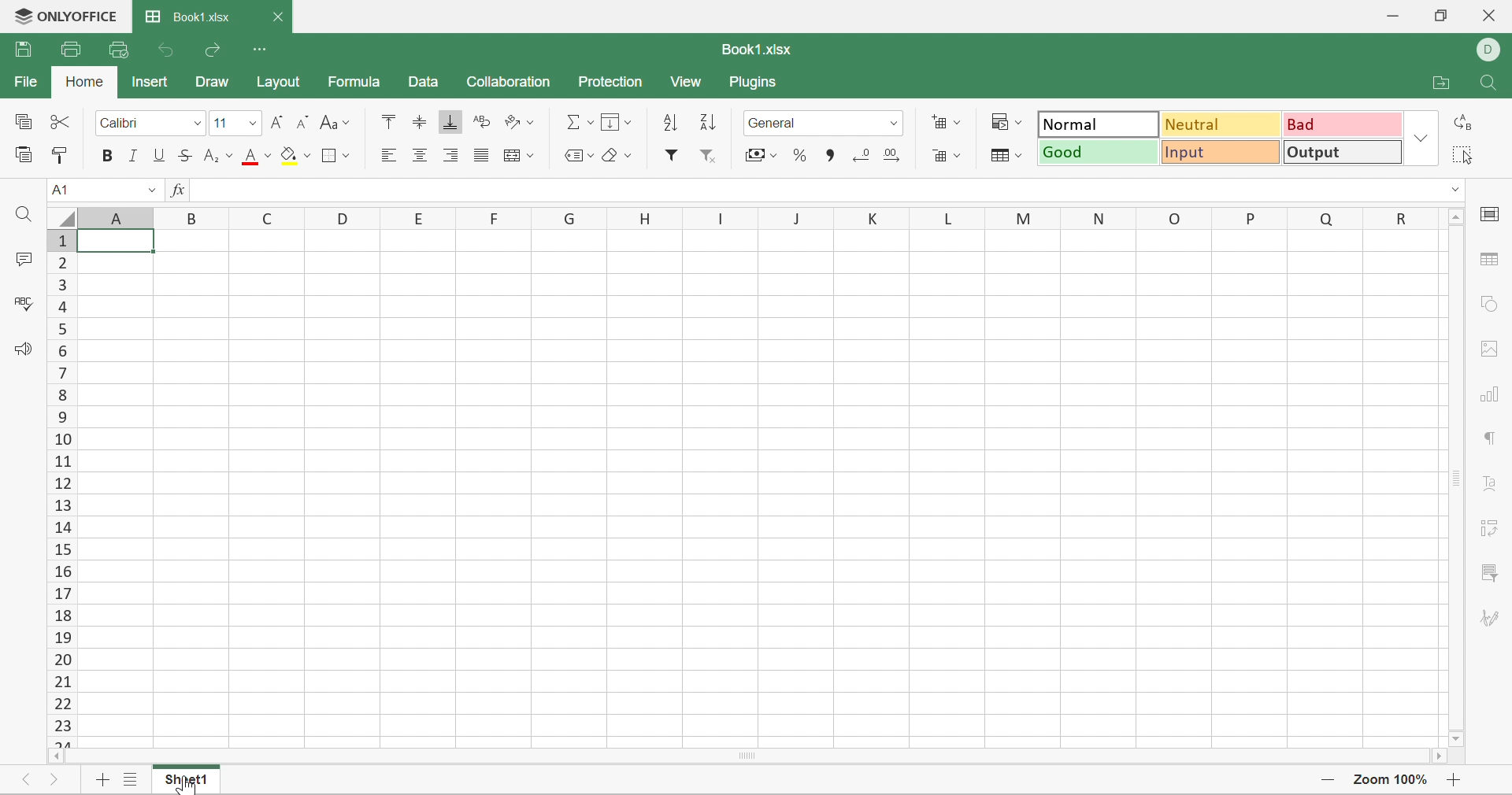  Describe the element at coordinates (84, 82) in the screenshot. I see `Home` at that location.